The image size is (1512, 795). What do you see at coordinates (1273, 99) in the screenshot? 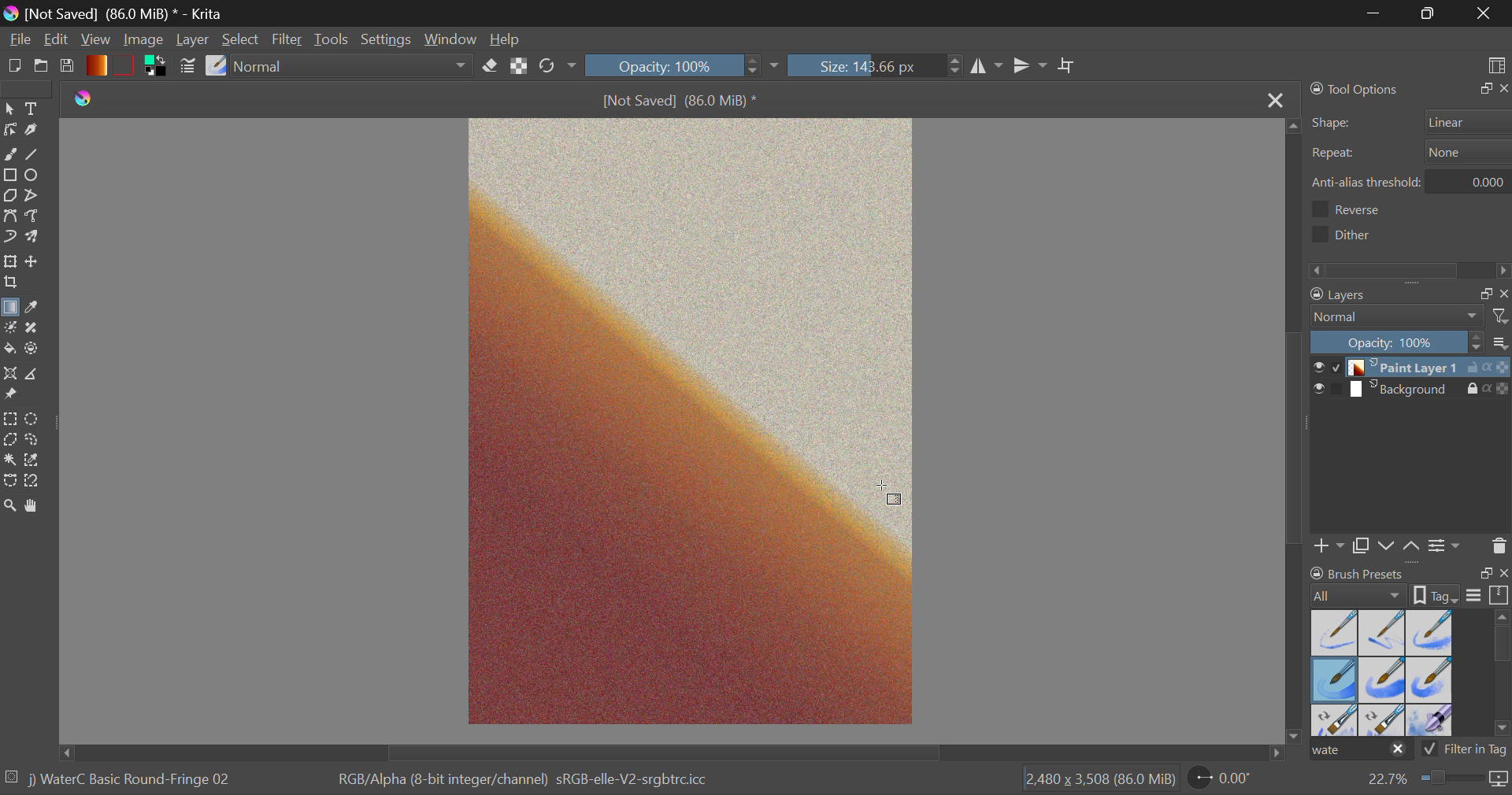
I see `Close Tab` at bounding box center [1273, 99].